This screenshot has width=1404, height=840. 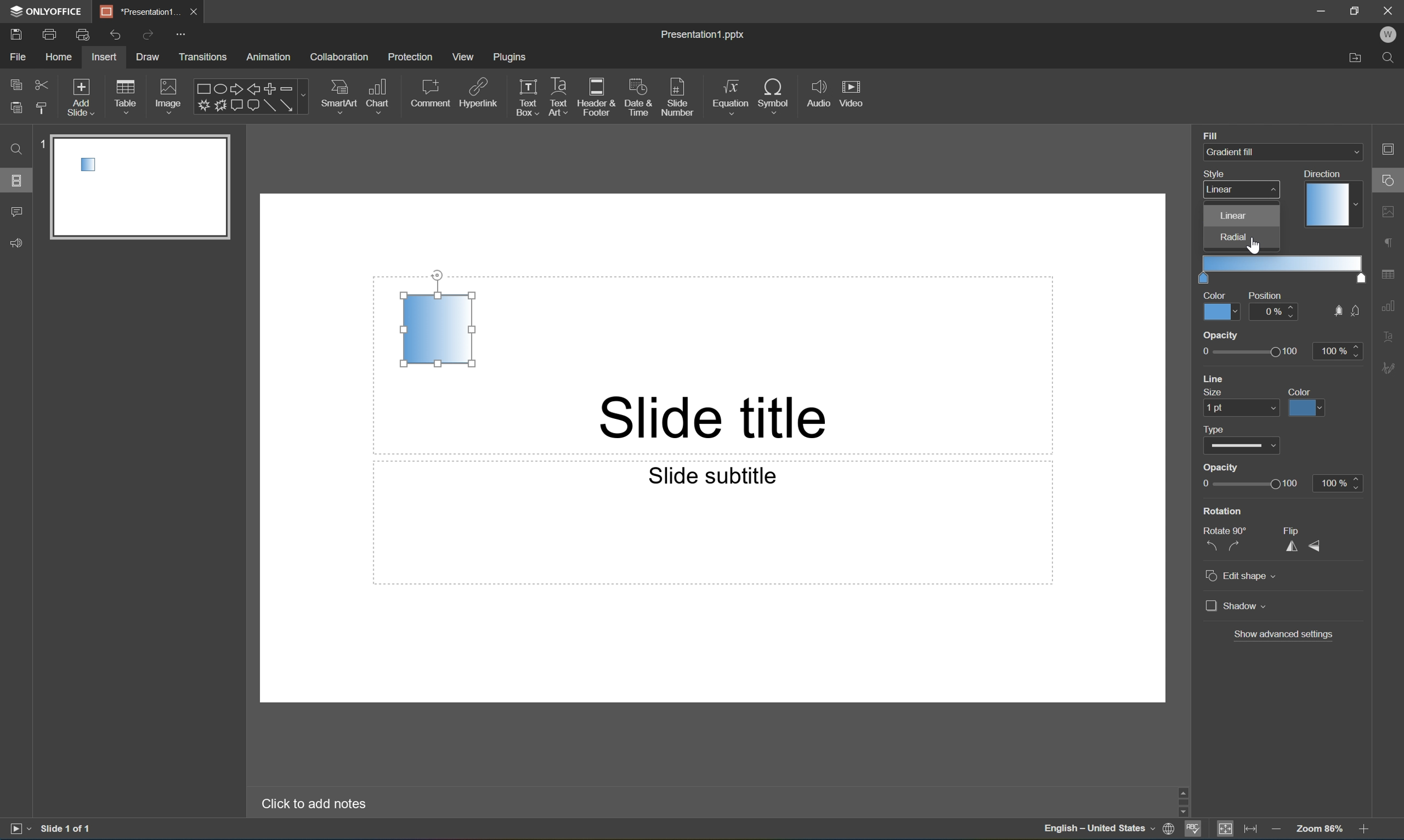 What do you see at coordinates (15, 33) in the screenshot?
I see `Save` at bounding box center [15, 33].